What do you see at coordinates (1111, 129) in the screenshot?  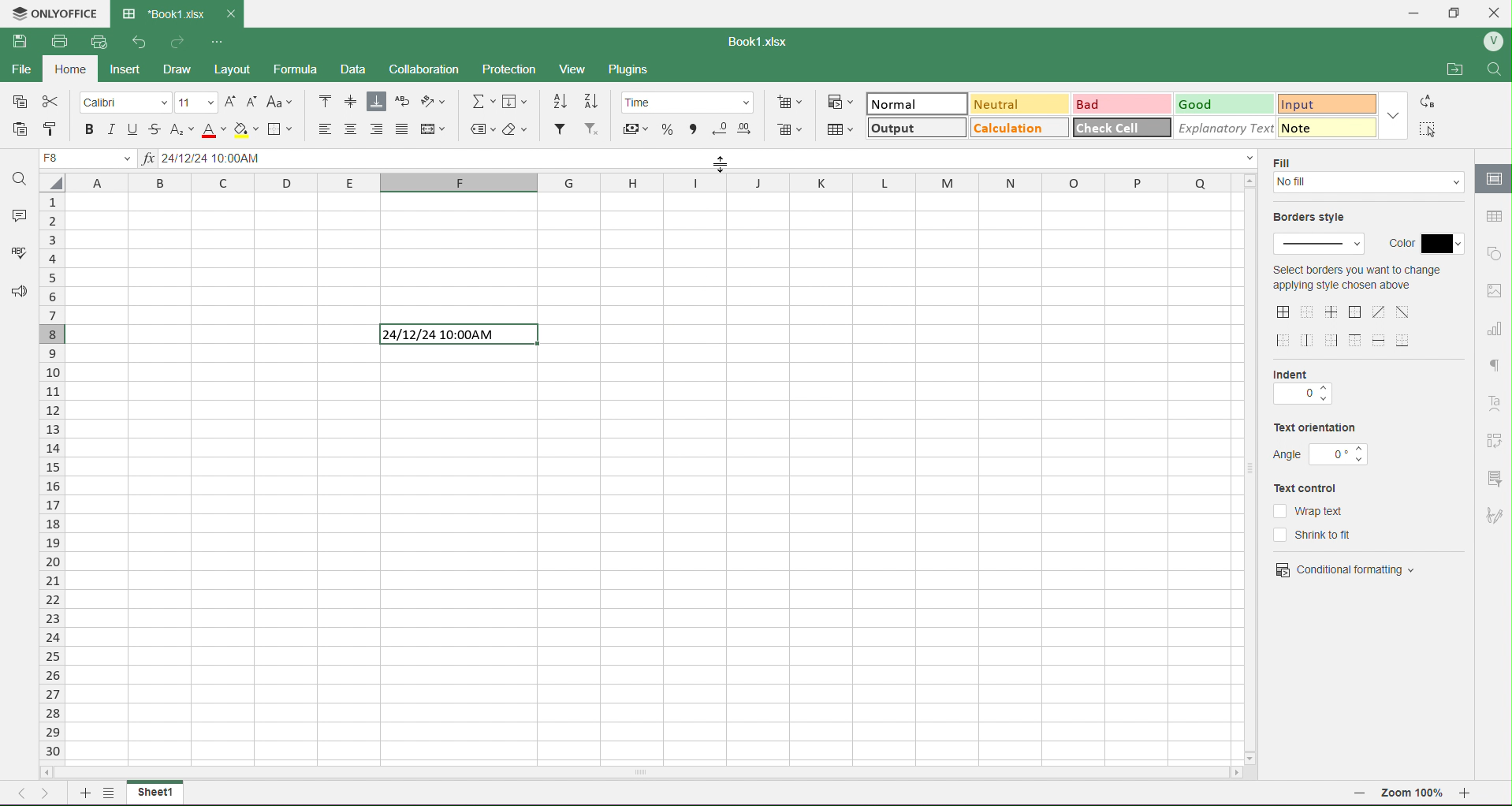 I see `Check Cell` at bounding box center [1111, 129].